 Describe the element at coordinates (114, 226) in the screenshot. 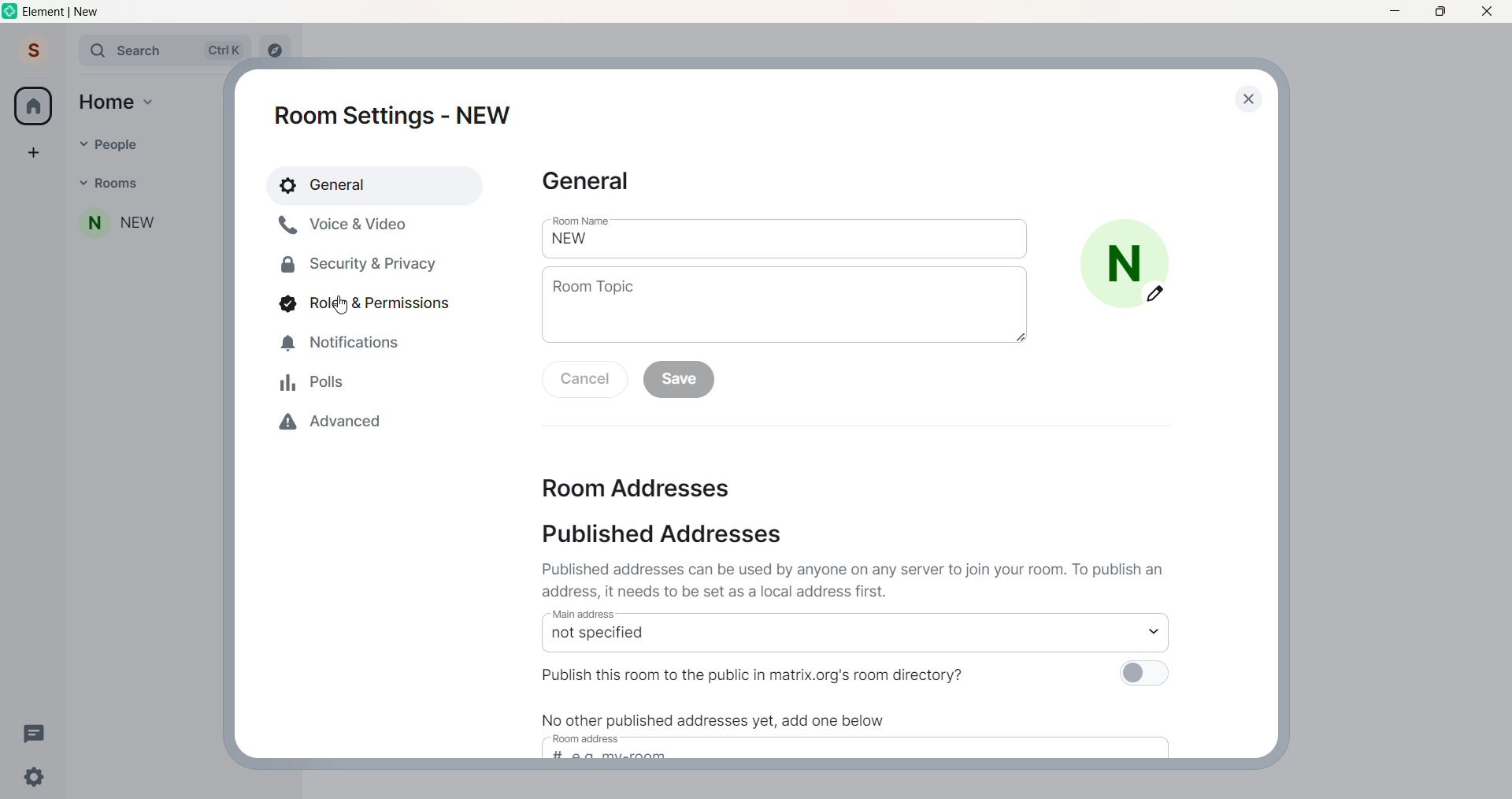

I see `room name` at that location.